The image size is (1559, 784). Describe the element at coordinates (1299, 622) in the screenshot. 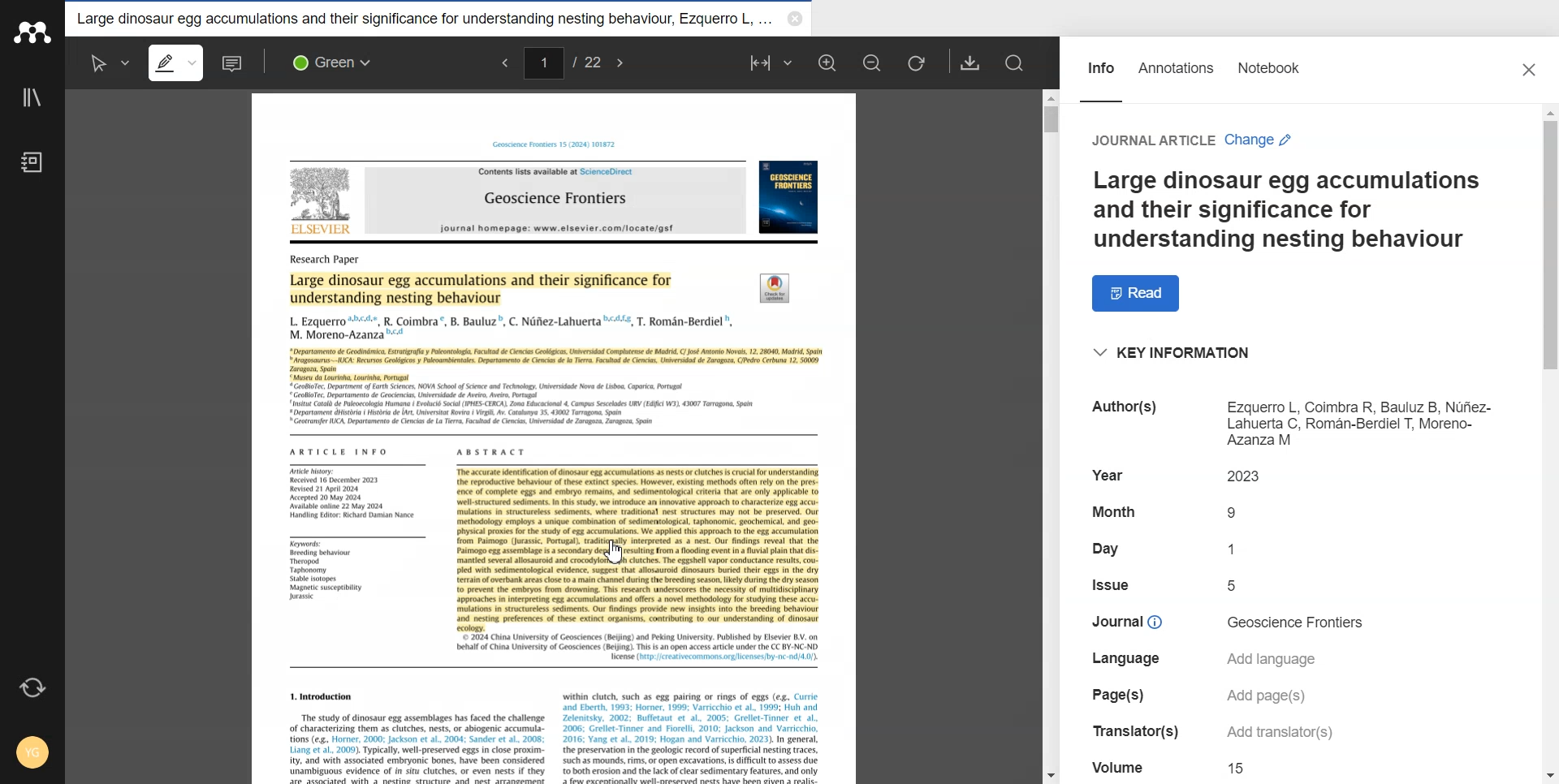

I see `text` at that location.